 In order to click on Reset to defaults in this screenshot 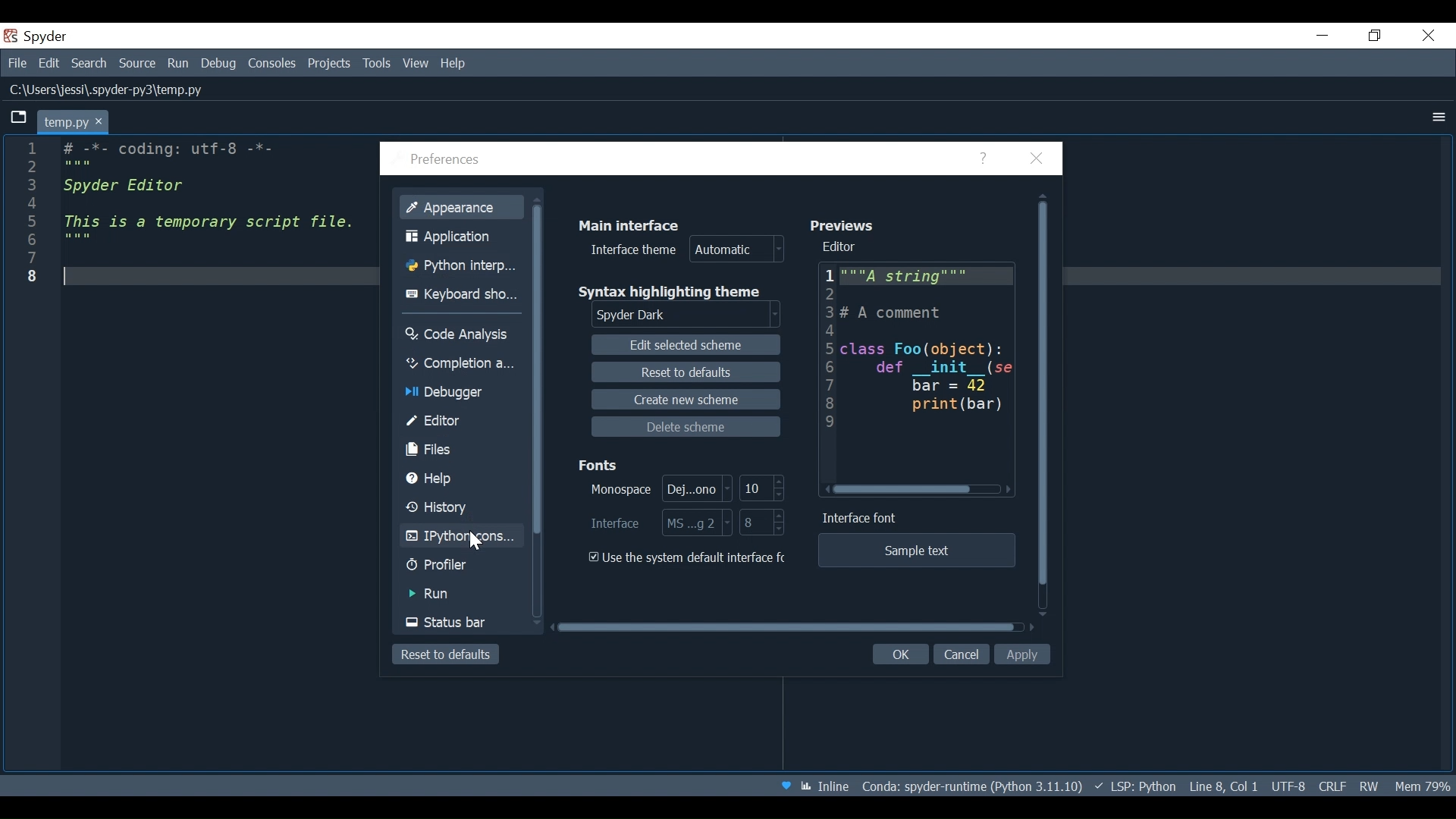, I will do `click(444, 654)`.